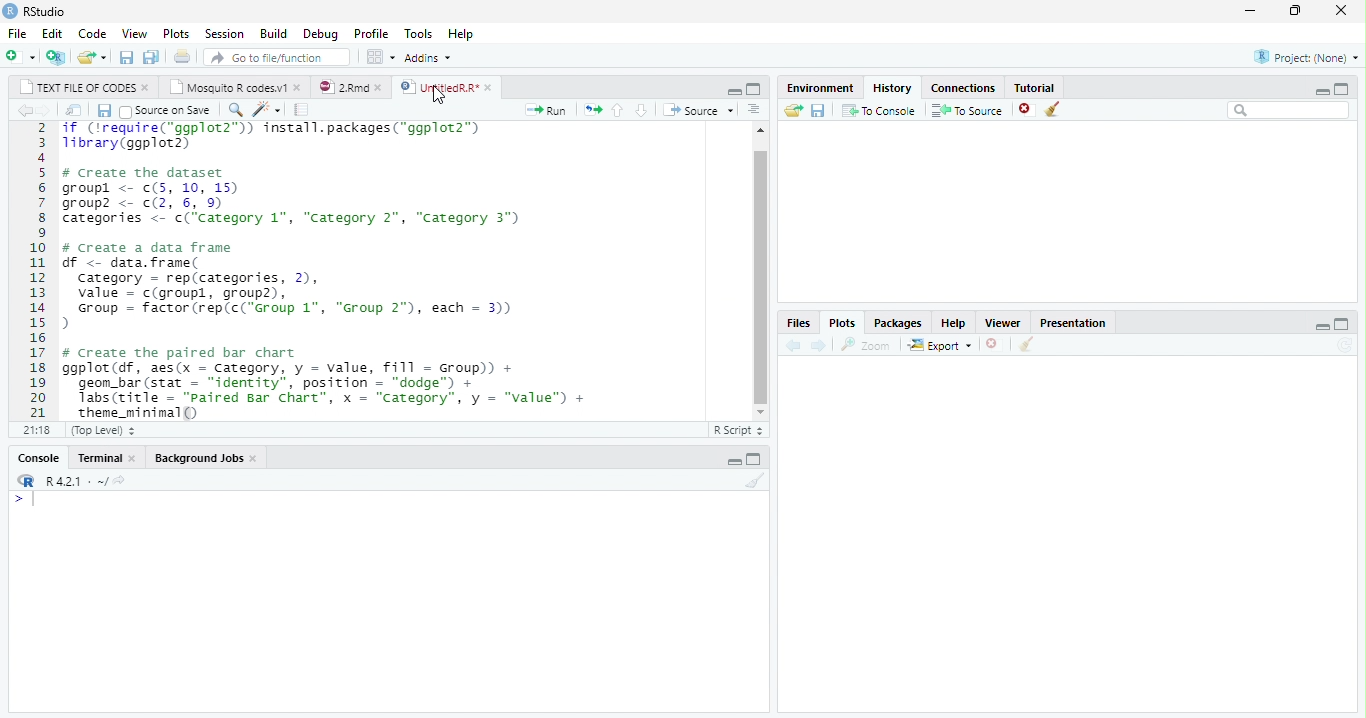 The image size is (1366, 718). I want to click on go back, so click(21, 110).